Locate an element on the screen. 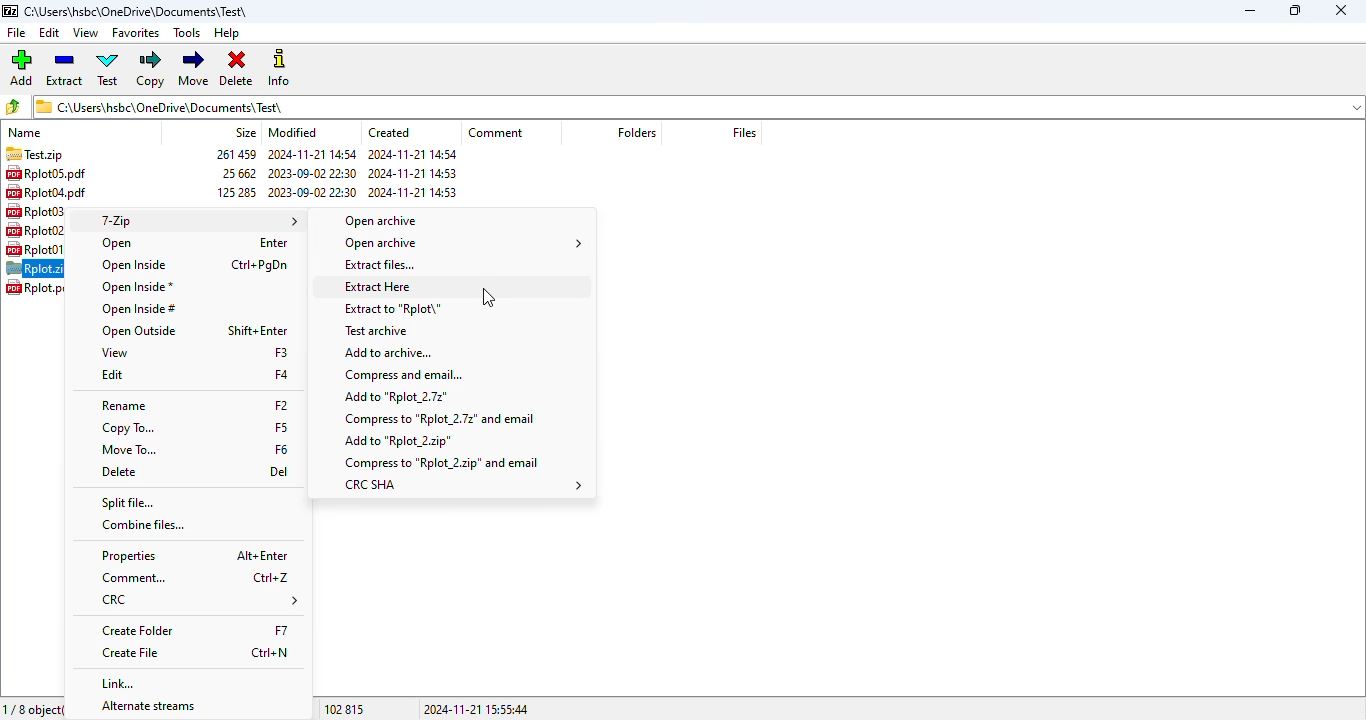 This screenshot has height=720, width=1366. cursor is located at coordinates (488, 298).